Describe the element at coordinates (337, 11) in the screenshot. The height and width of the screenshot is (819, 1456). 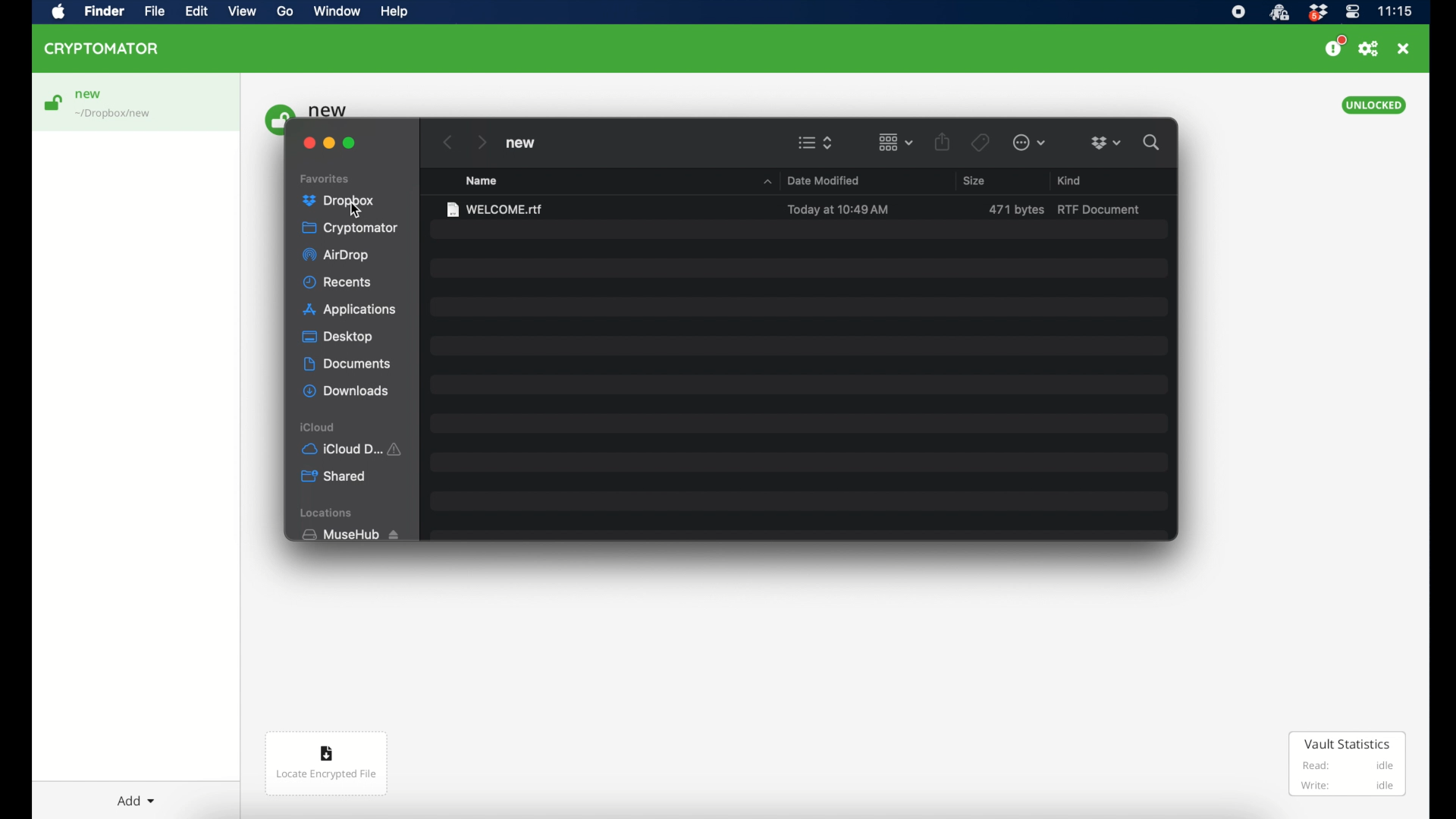
I see `window` at that location.